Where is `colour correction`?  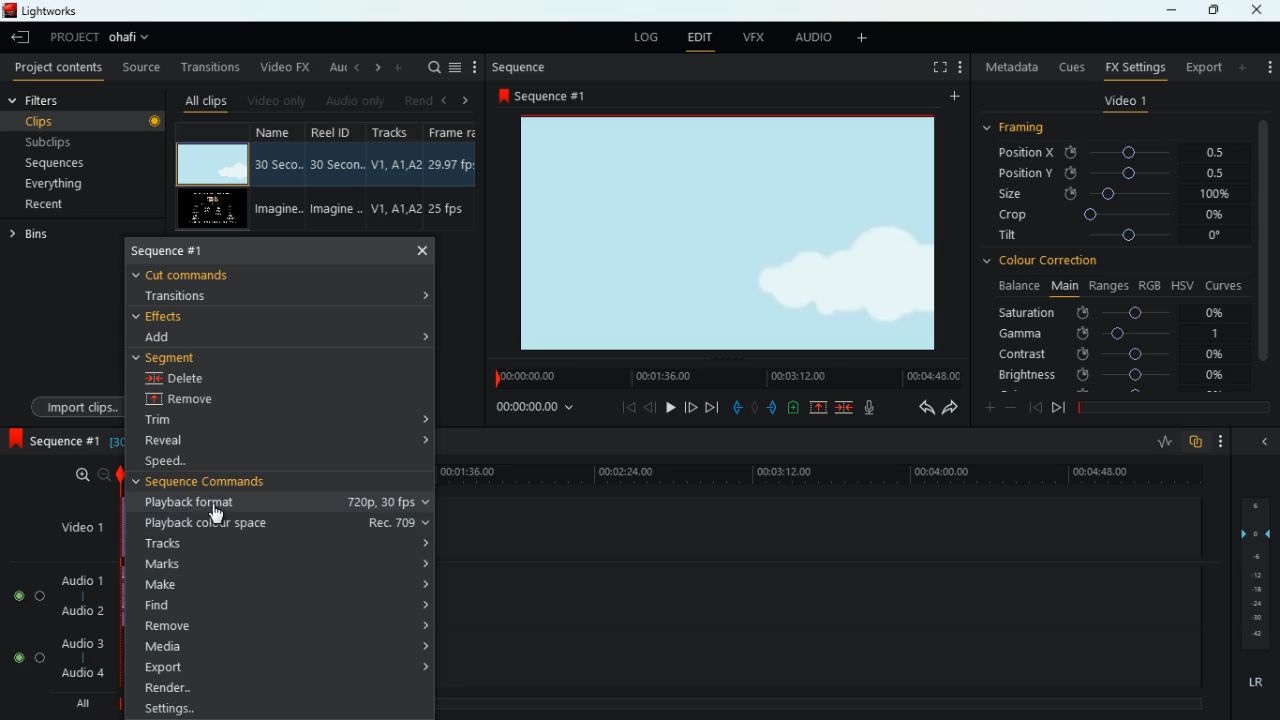
colour correction is located at coordinates (1053, 262).